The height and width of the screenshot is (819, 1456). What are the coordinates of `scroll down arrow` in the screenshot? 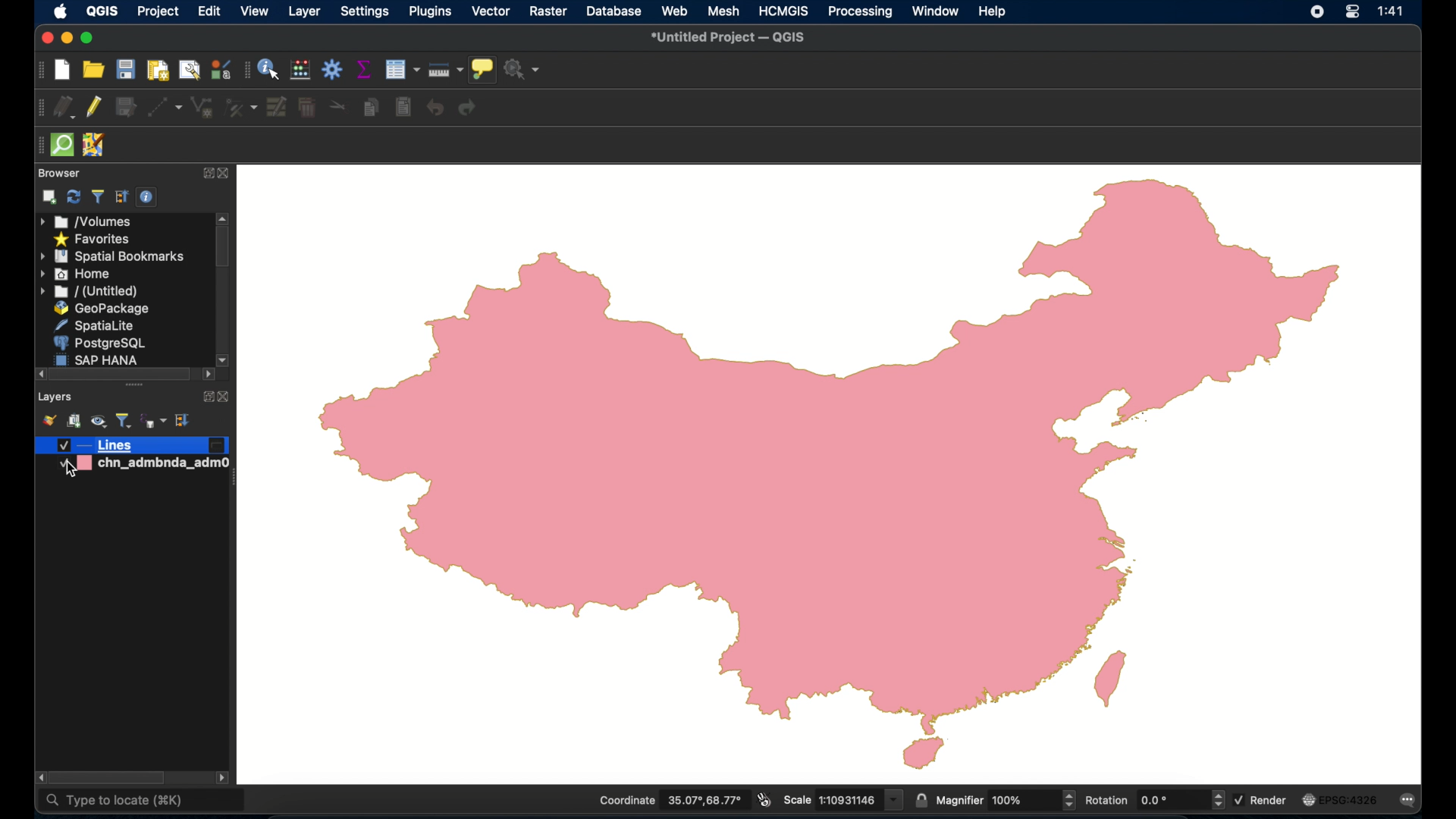 It's located at (224, 359).